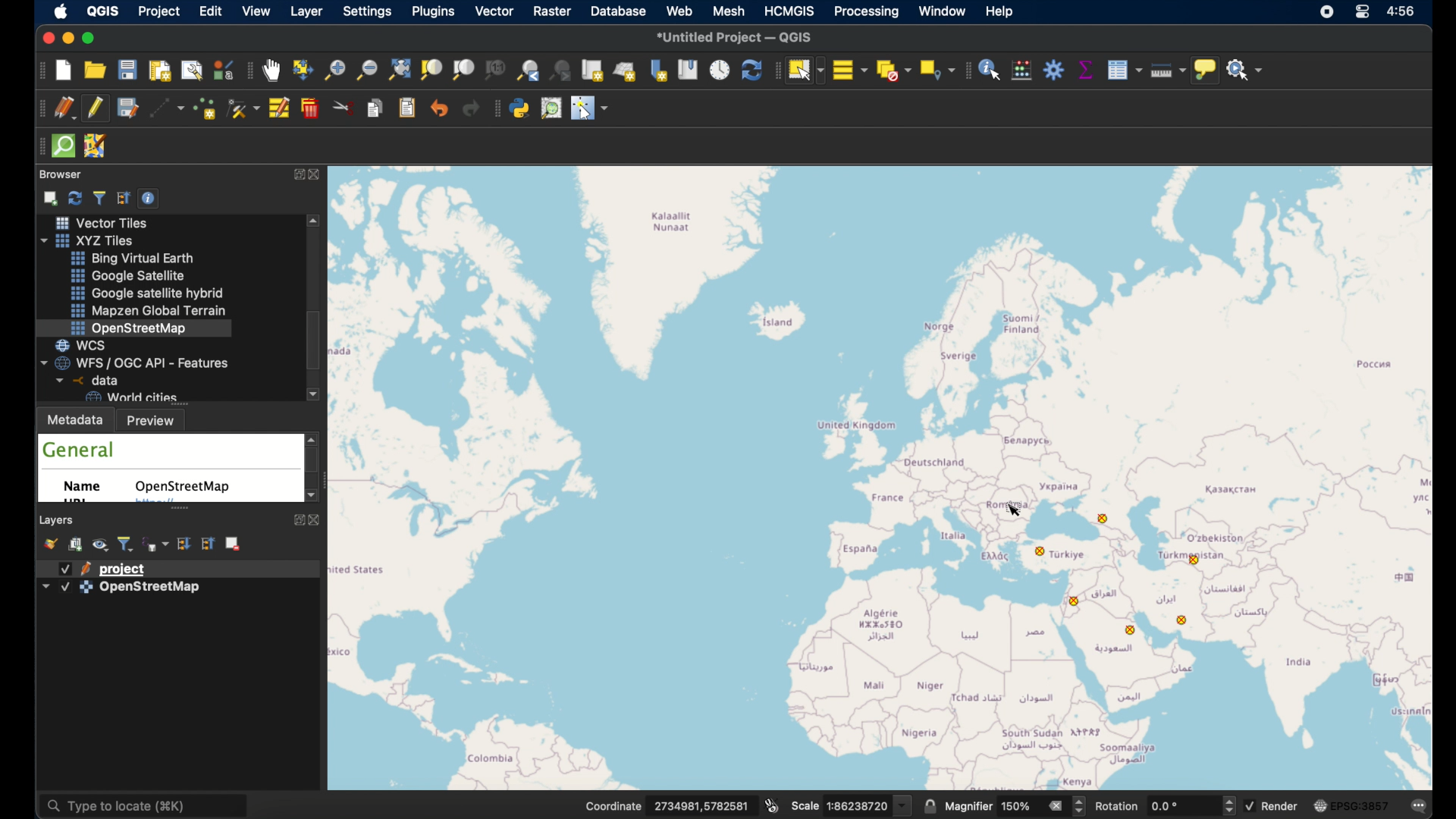 This screenshot has width=1456, height=819. Describe the element at coordinates (320, 174) in the screenshot. I see `close` at that location.